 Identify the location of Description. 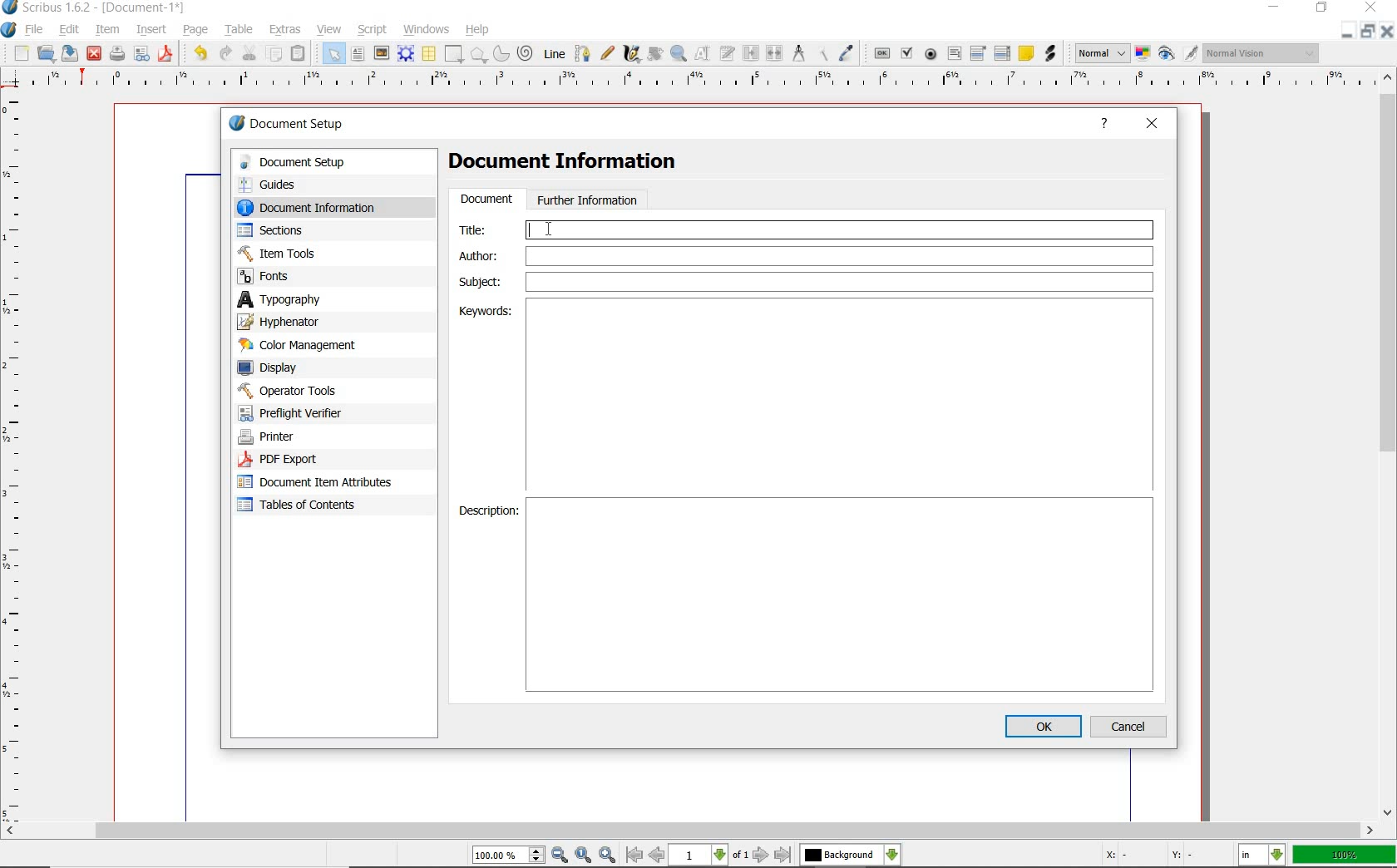
(842, 594).